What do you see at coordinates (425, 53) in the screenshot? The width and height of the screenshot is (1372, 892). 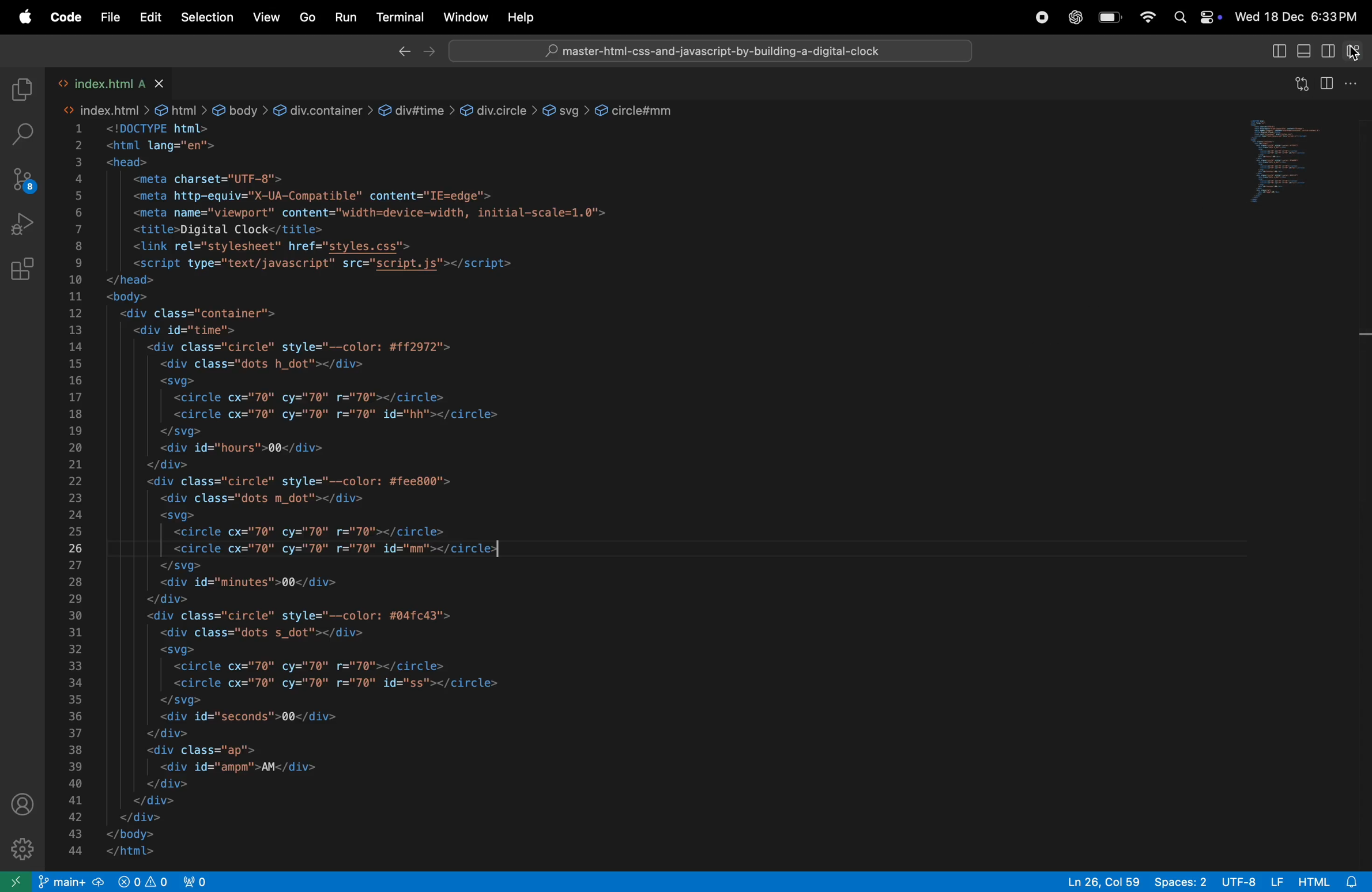 I see `forward` at bounding box center [425, 53].